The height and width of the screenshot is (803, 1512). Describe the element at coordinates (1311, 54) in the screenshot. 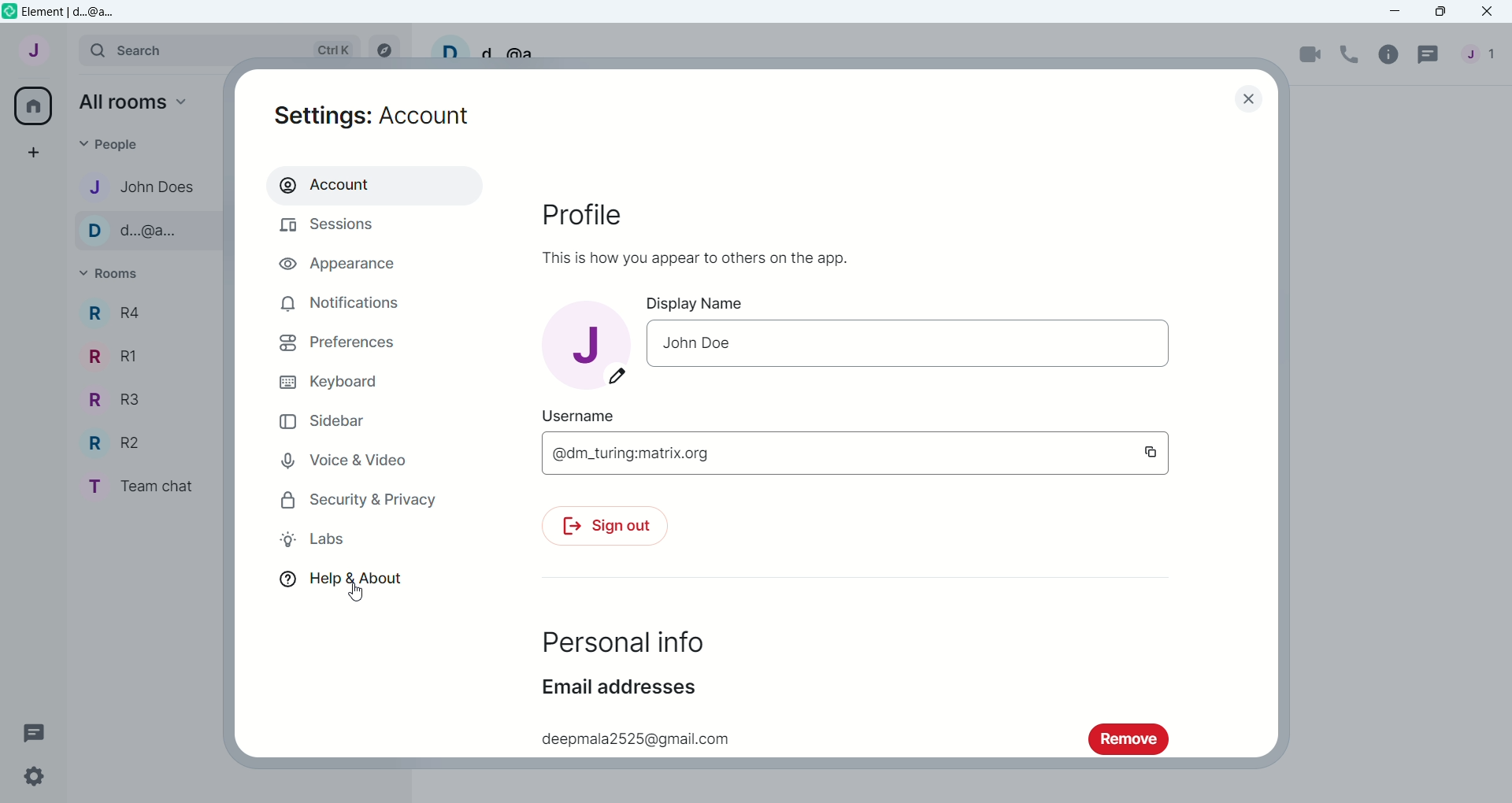

I see `Video call` at that location.